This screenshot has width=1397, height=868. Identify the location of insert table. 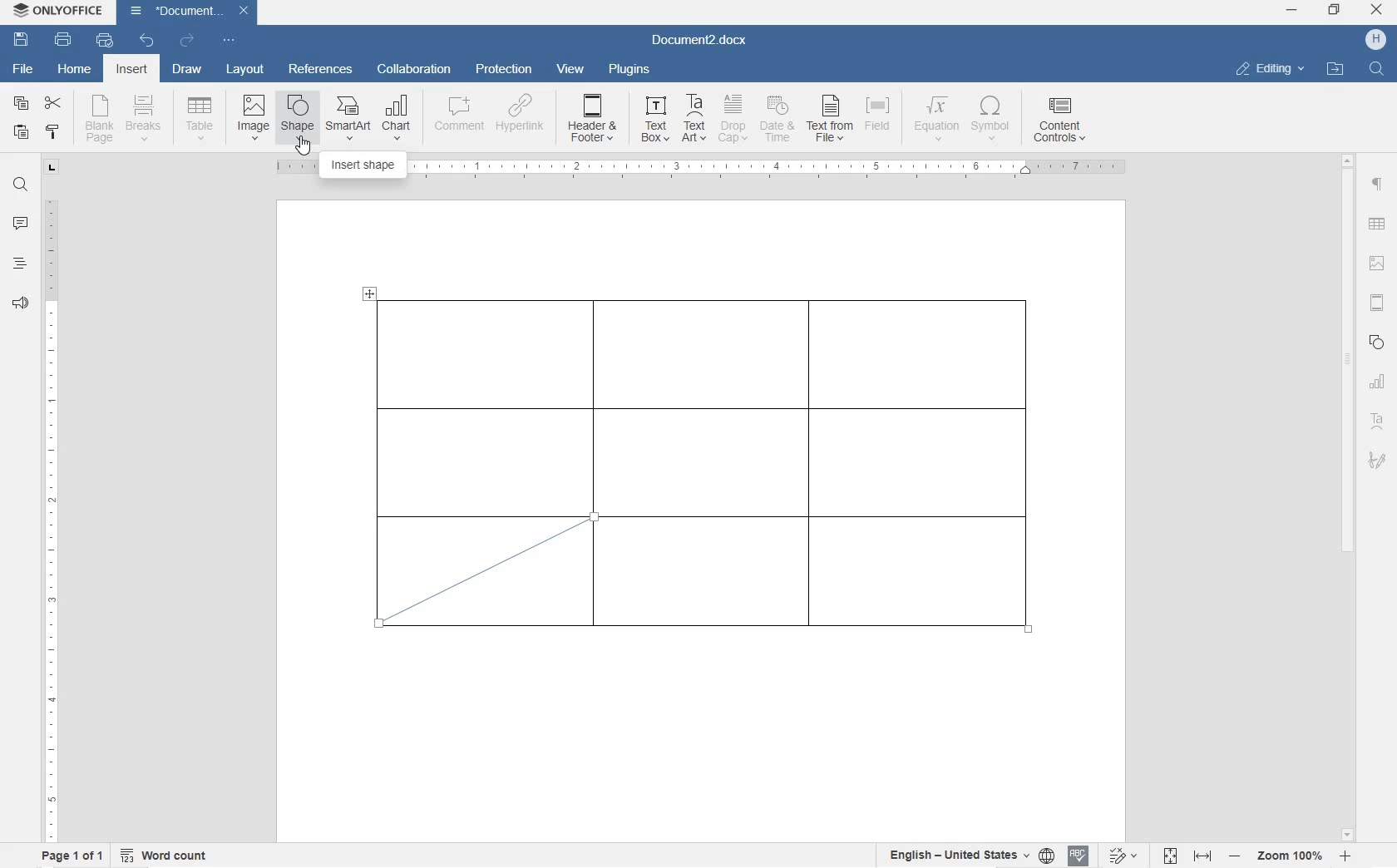
(196, 118).